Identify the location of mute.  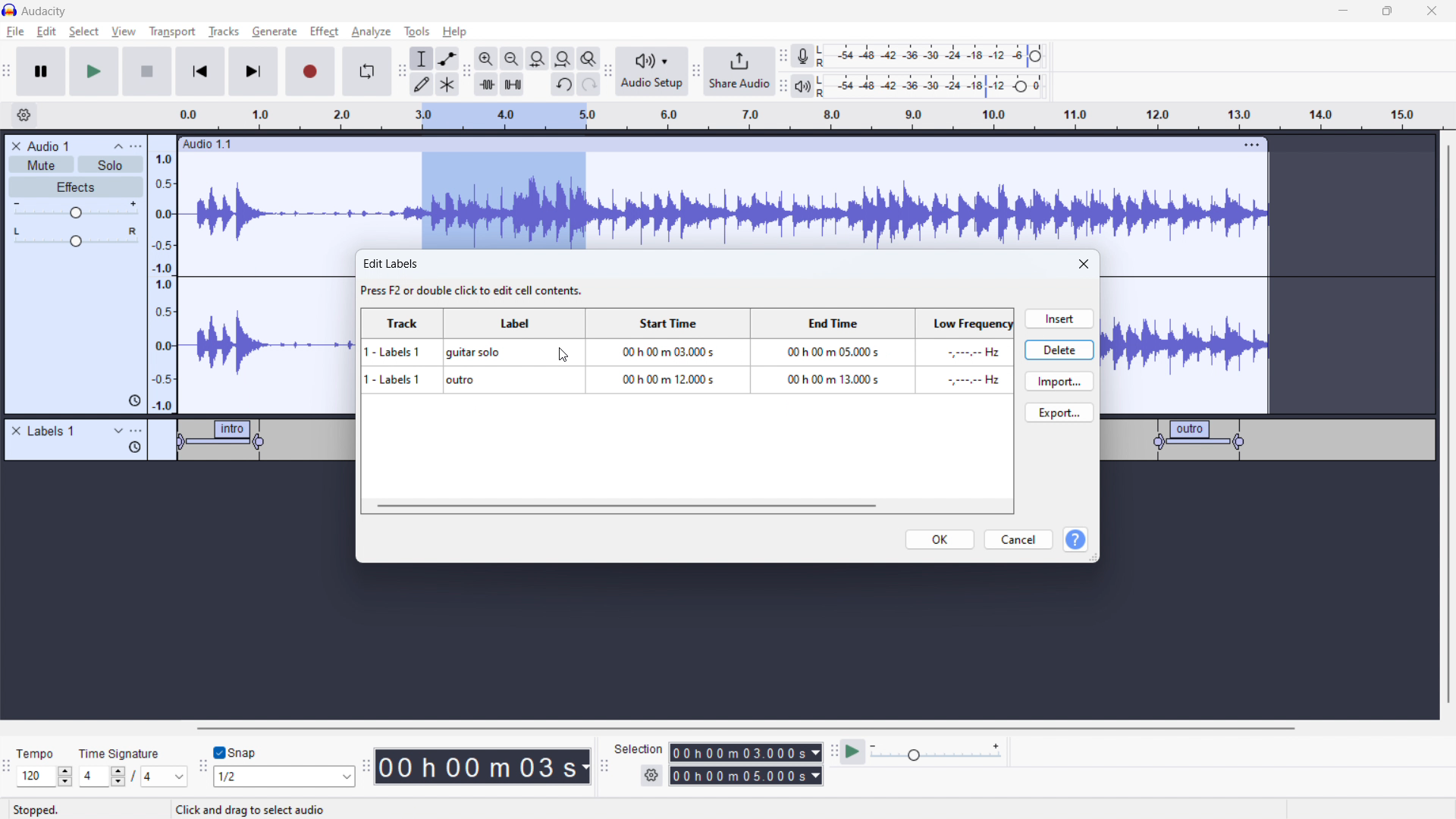
(41, 165).